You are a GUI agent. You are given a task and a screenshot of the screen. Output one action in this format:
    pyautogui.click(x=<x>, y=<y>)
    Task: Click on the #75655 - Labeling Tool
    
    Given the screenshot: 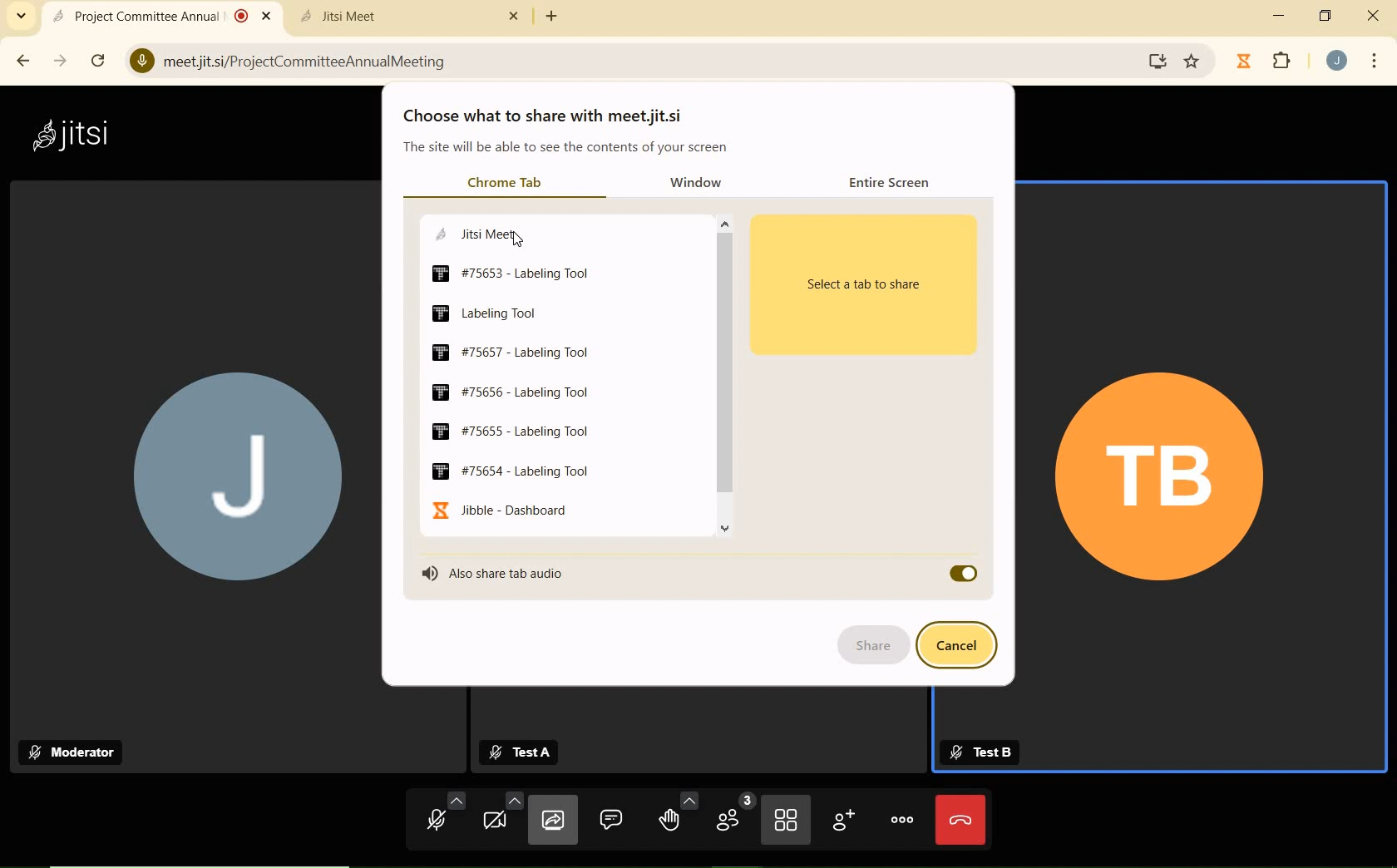 What is the action you would take?
    pyautogui.click(x=507, y=429)
    